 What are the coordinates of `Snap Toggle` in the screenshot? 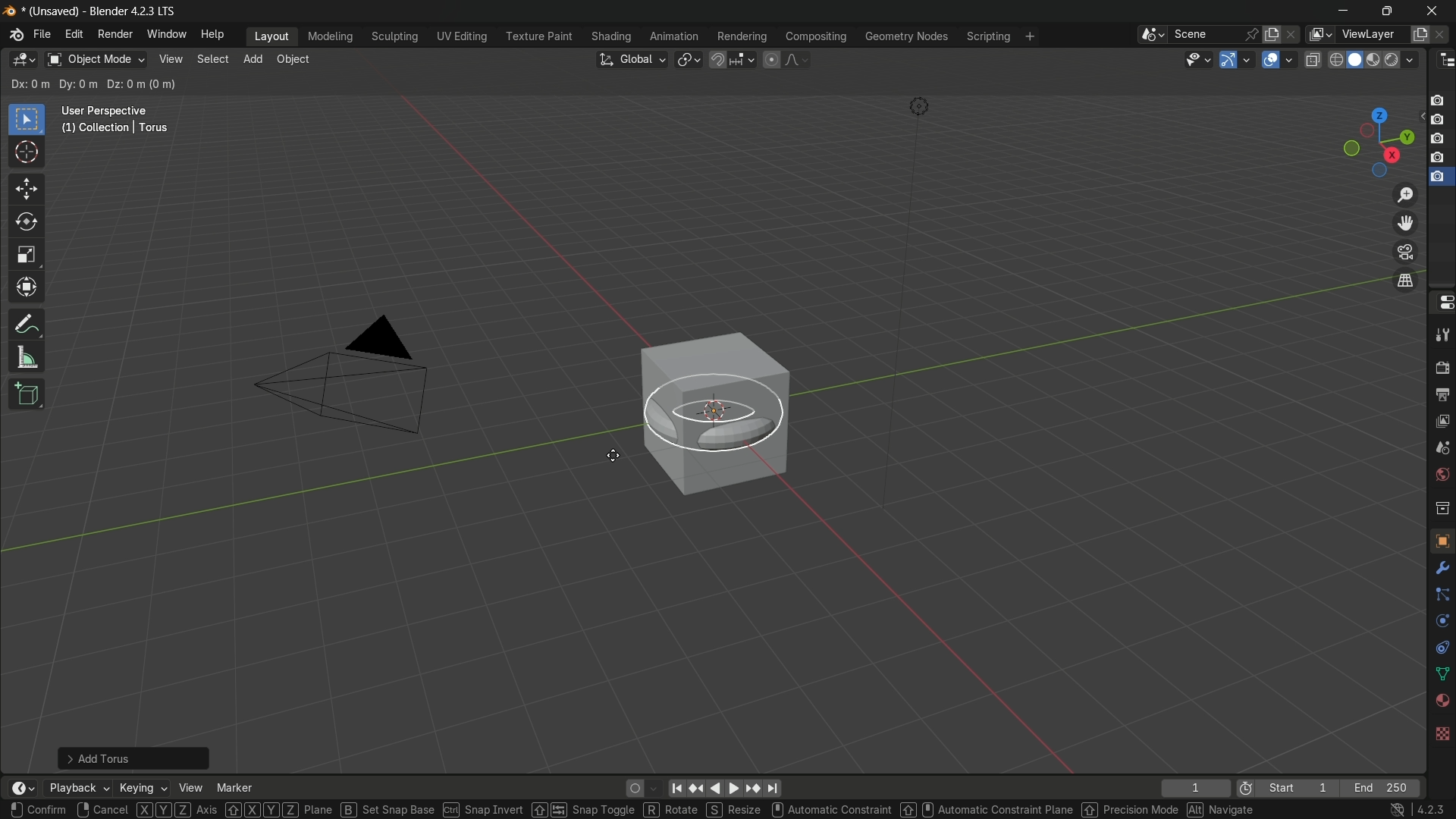 It's located at (584, 809).